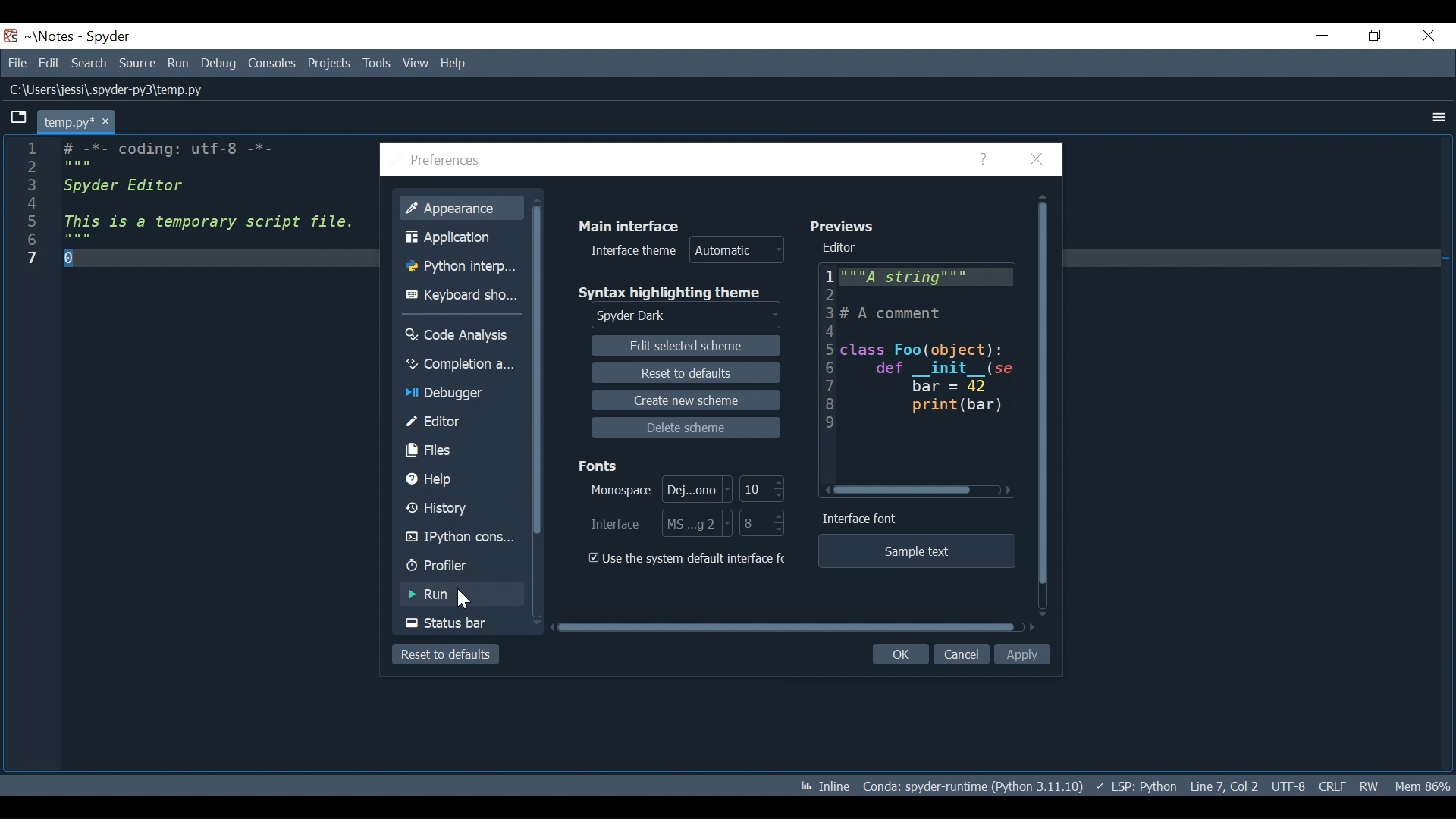 This screenshot has height=819, width=1456. What do you see at coordinates (78, 121) in the screenshot?
I see `Current tab` at bounding box center [78, 121].